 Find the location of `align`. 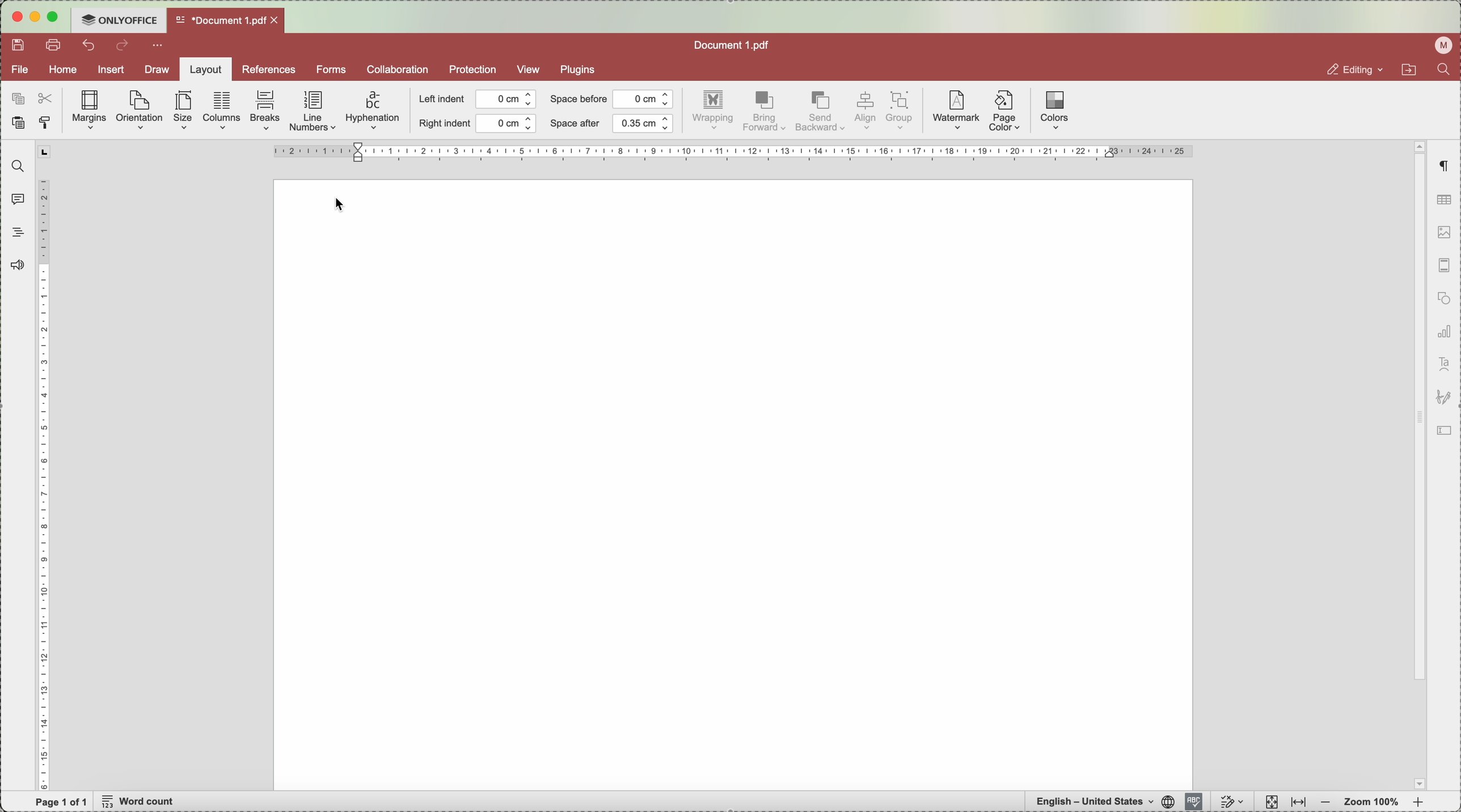

align is located at coordinates (864, 111).